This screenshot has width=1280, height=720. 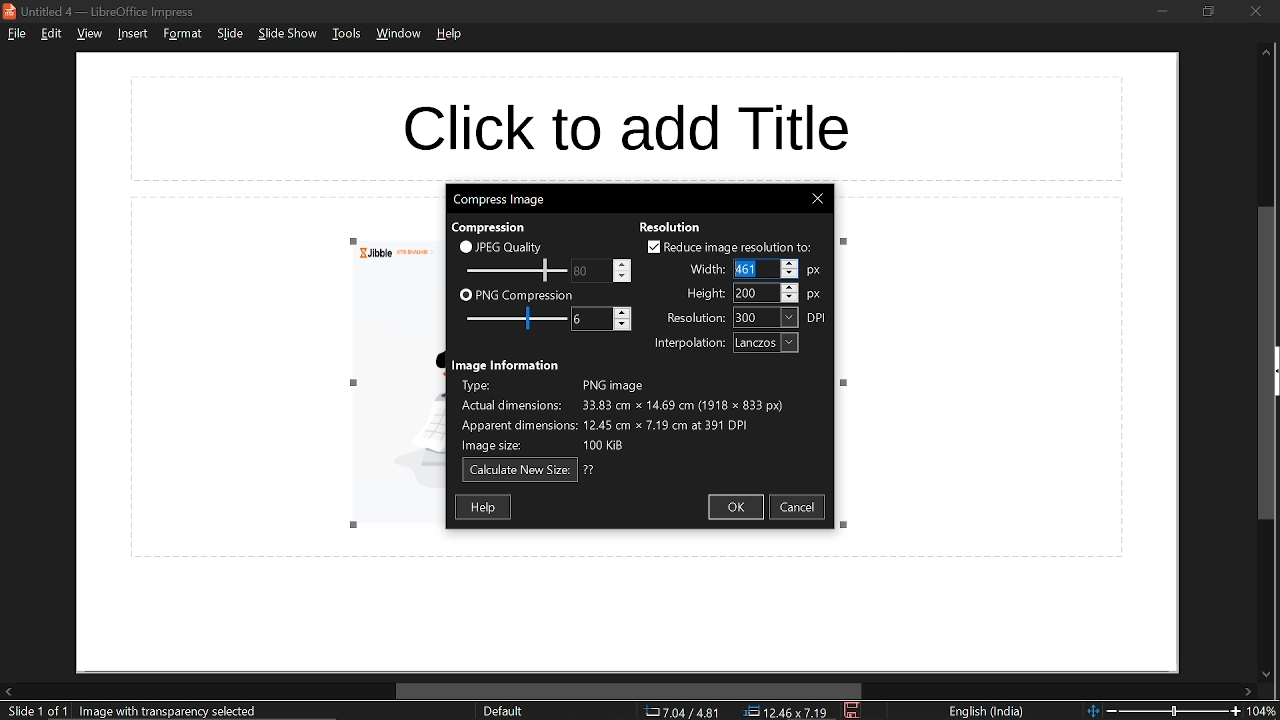 What do you see at coordinates (506, 364) in the screenshot?
I see `text` at bounding box center [506, 364].